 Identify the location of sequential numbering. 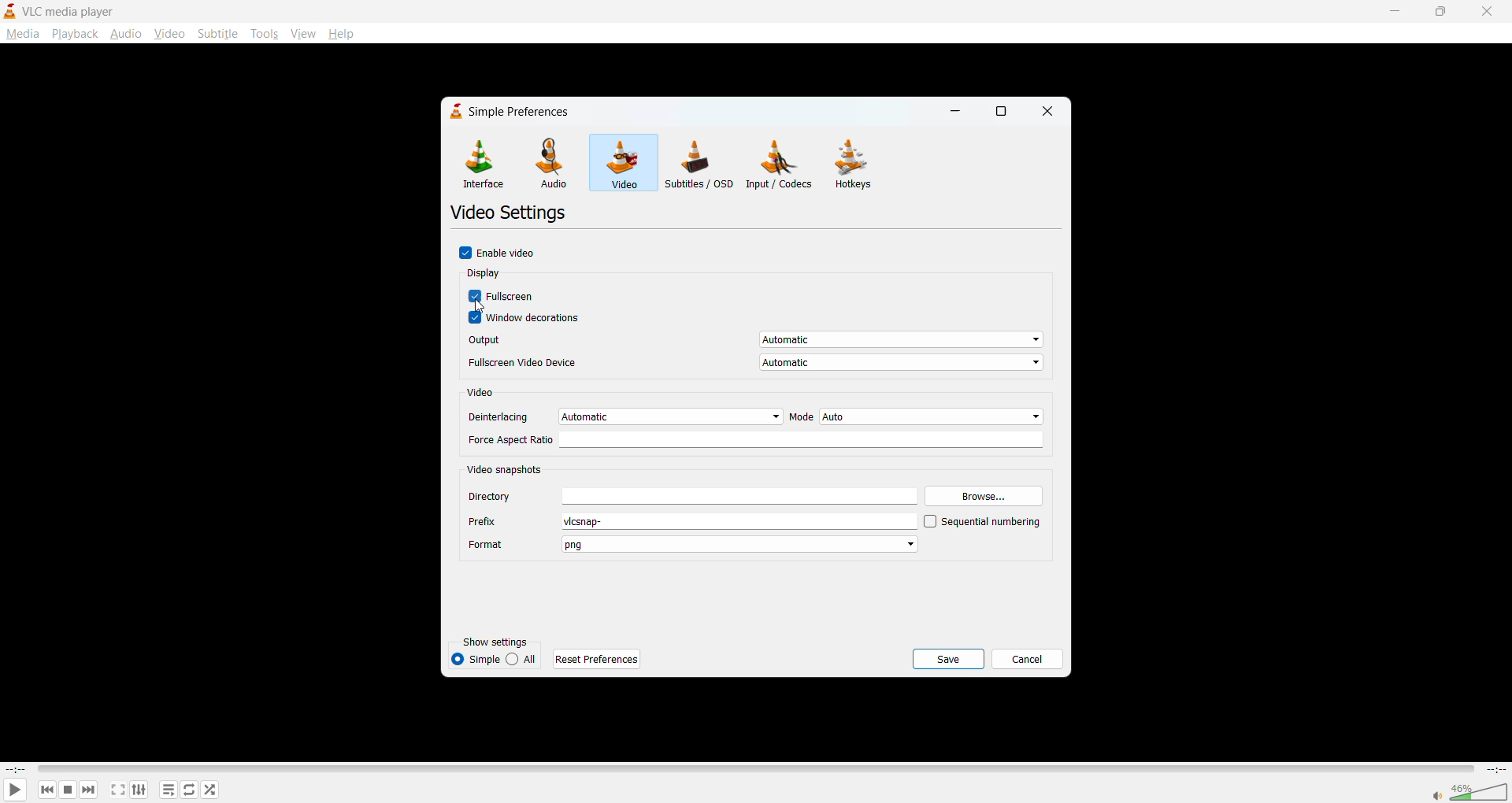
(982, 523).